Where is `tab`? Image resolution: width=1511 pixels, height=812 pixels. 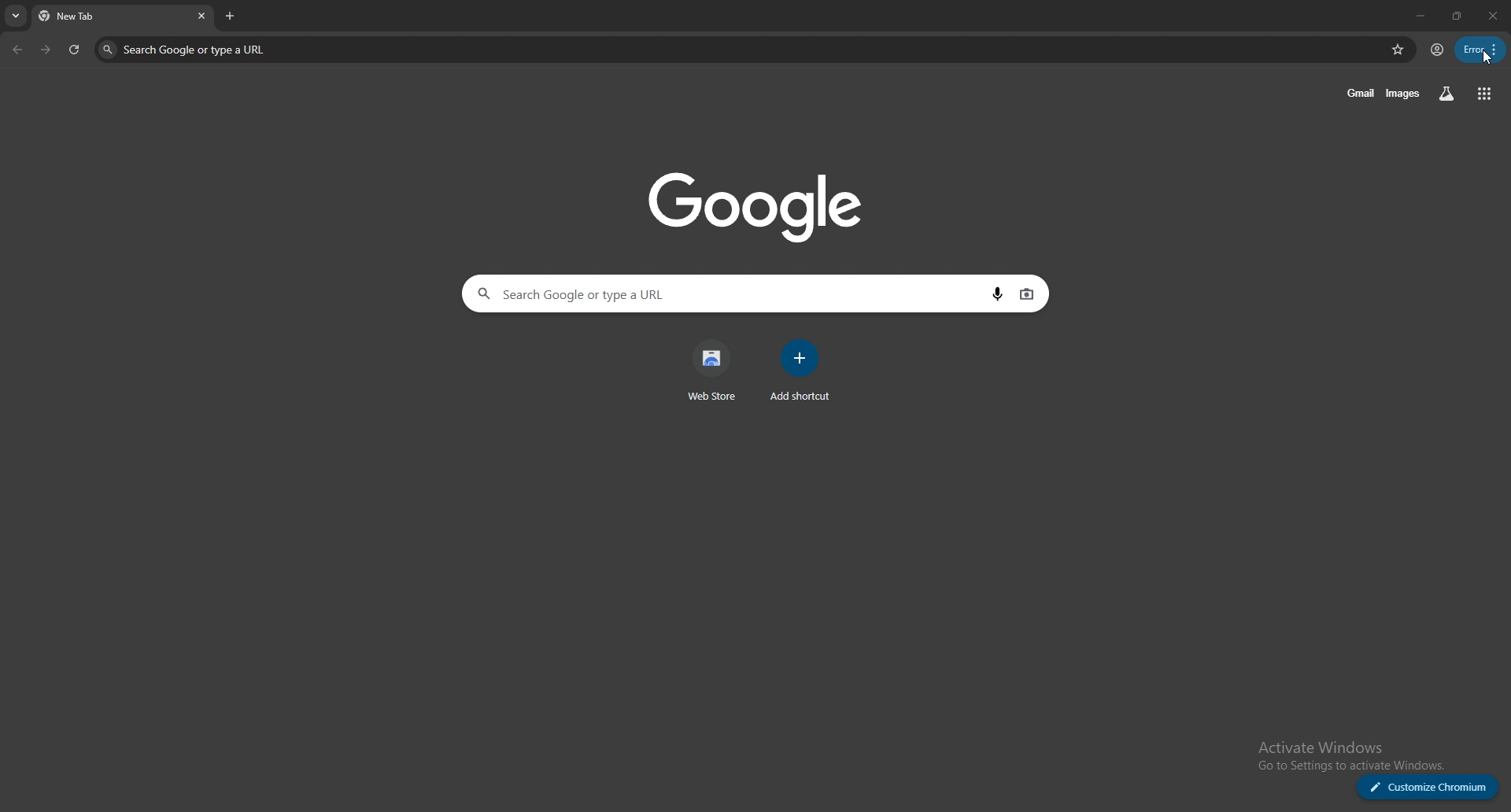
tab is located at coordinates (108, 17).